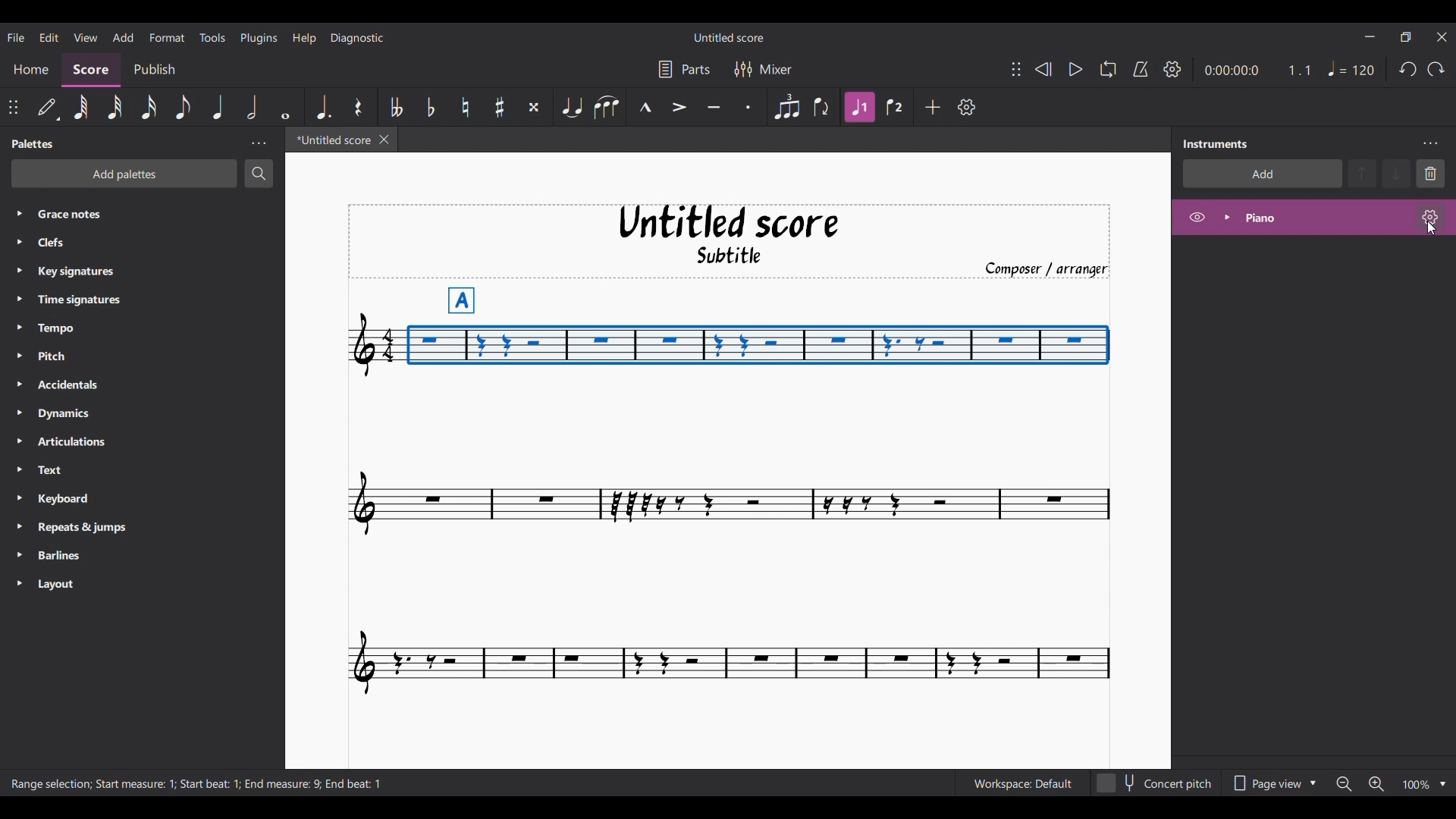  What do you see at coordinates (933, 107) in the screenshot?
I see `Add` at bounding box center [933, 107].